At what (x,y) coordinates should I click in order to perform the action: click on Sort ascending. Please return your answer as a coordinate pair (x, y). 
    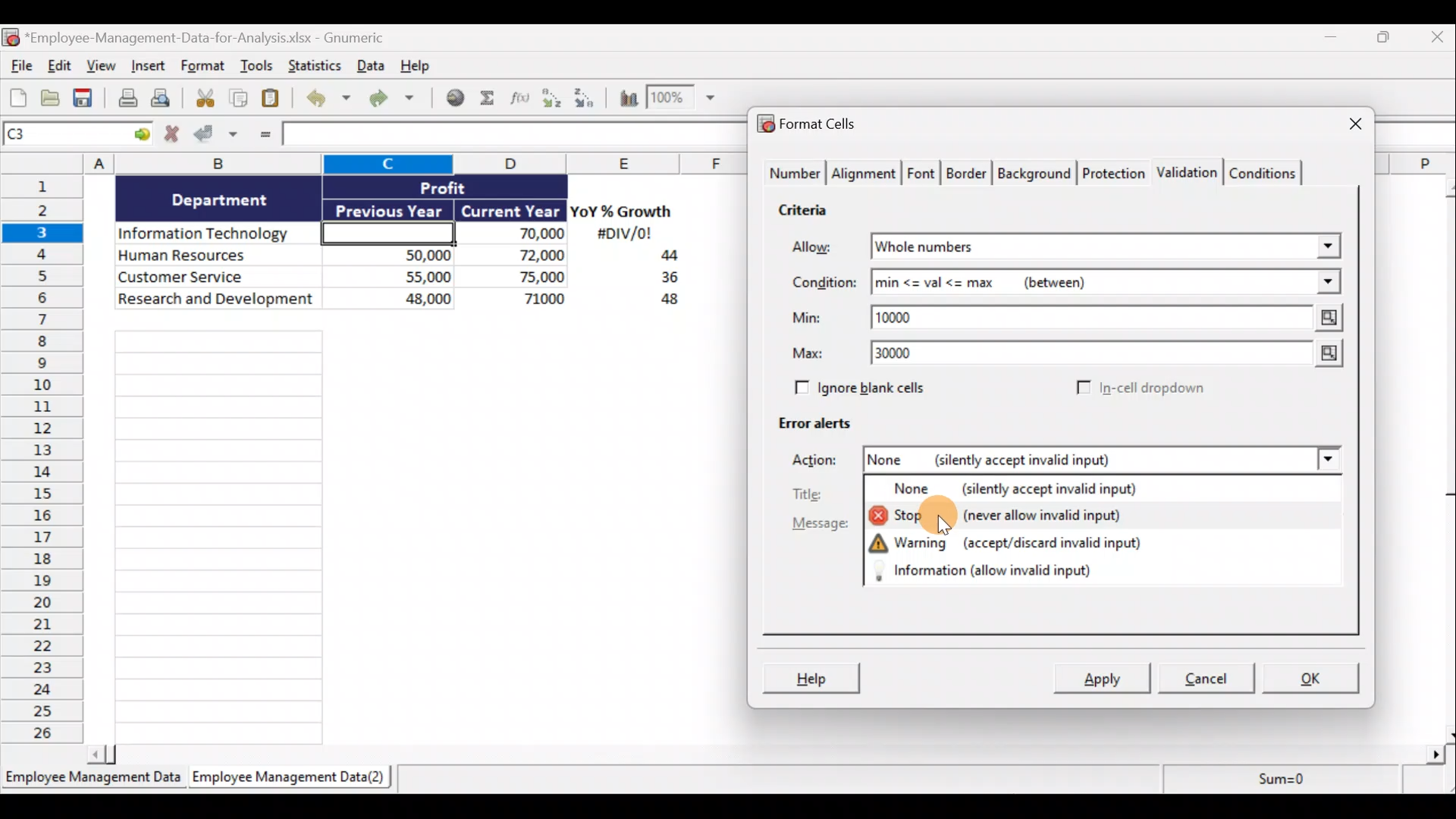
    Looking at the image, I should click on (551, 98).